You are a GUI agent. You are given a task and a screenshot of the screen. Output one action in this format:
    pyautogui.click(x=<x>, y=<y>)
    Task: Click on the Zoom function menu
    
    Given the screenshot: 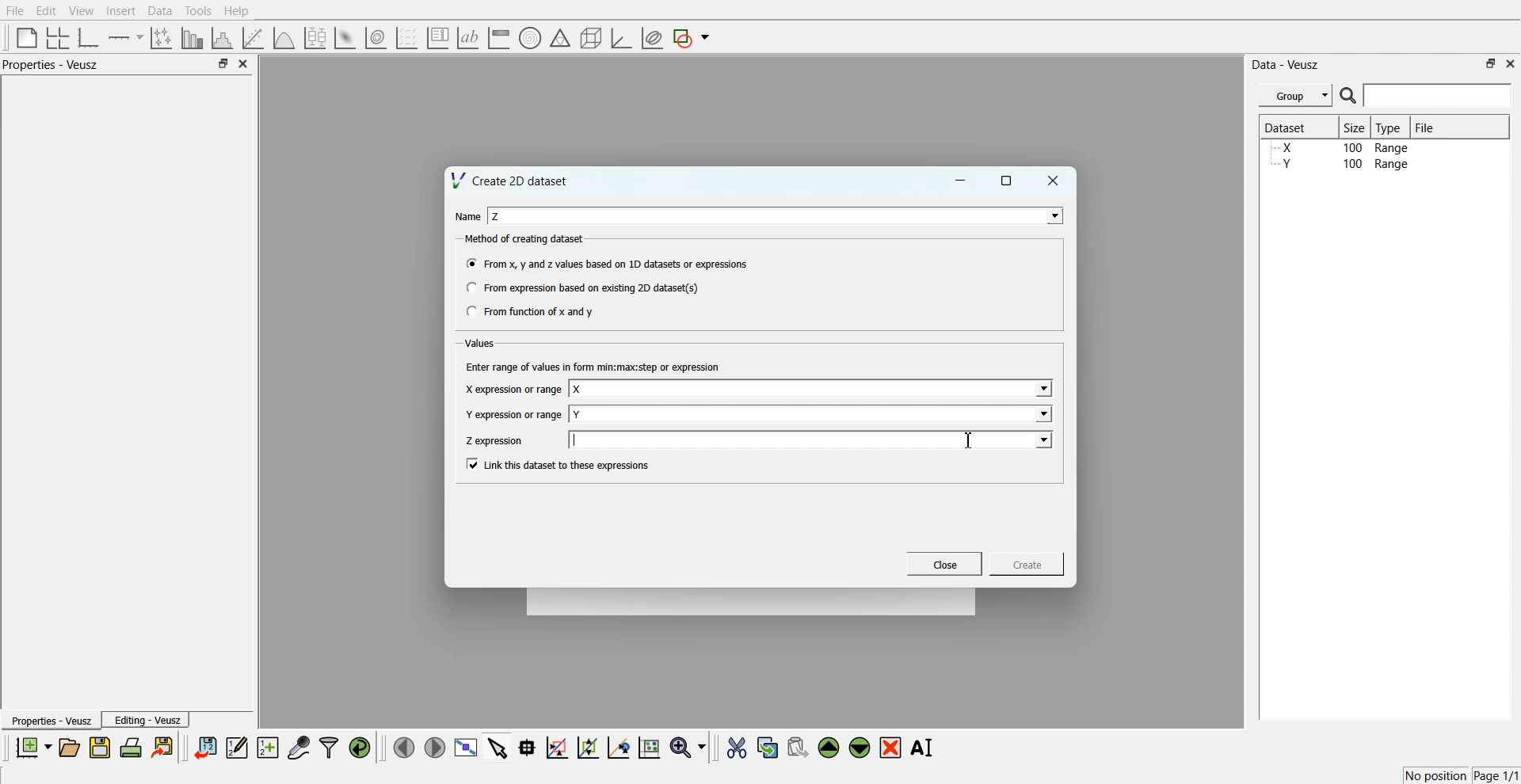 What is the action you would take?
    pyautogui.click(x=690, y=747)
    